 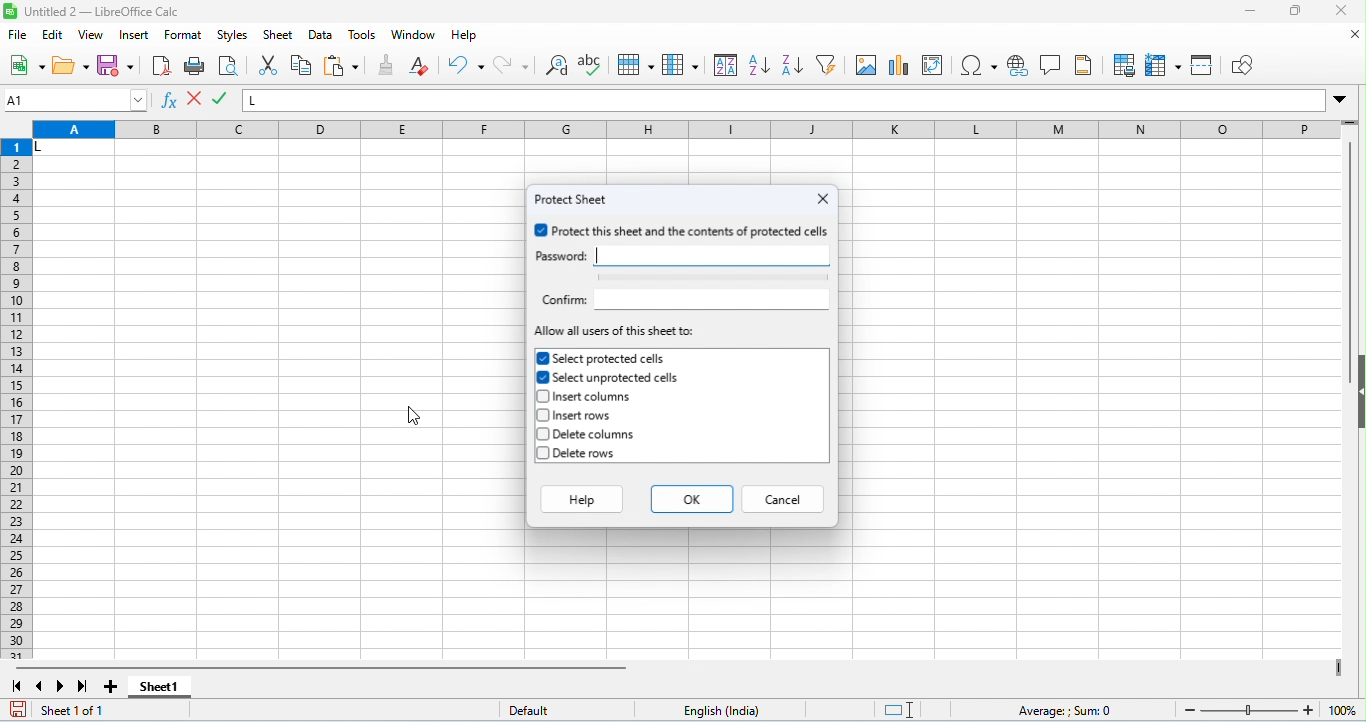 What do you see at coordinates (785, 100) in the screenshot?
I see `formula bar` at bounding box center [785, 100].